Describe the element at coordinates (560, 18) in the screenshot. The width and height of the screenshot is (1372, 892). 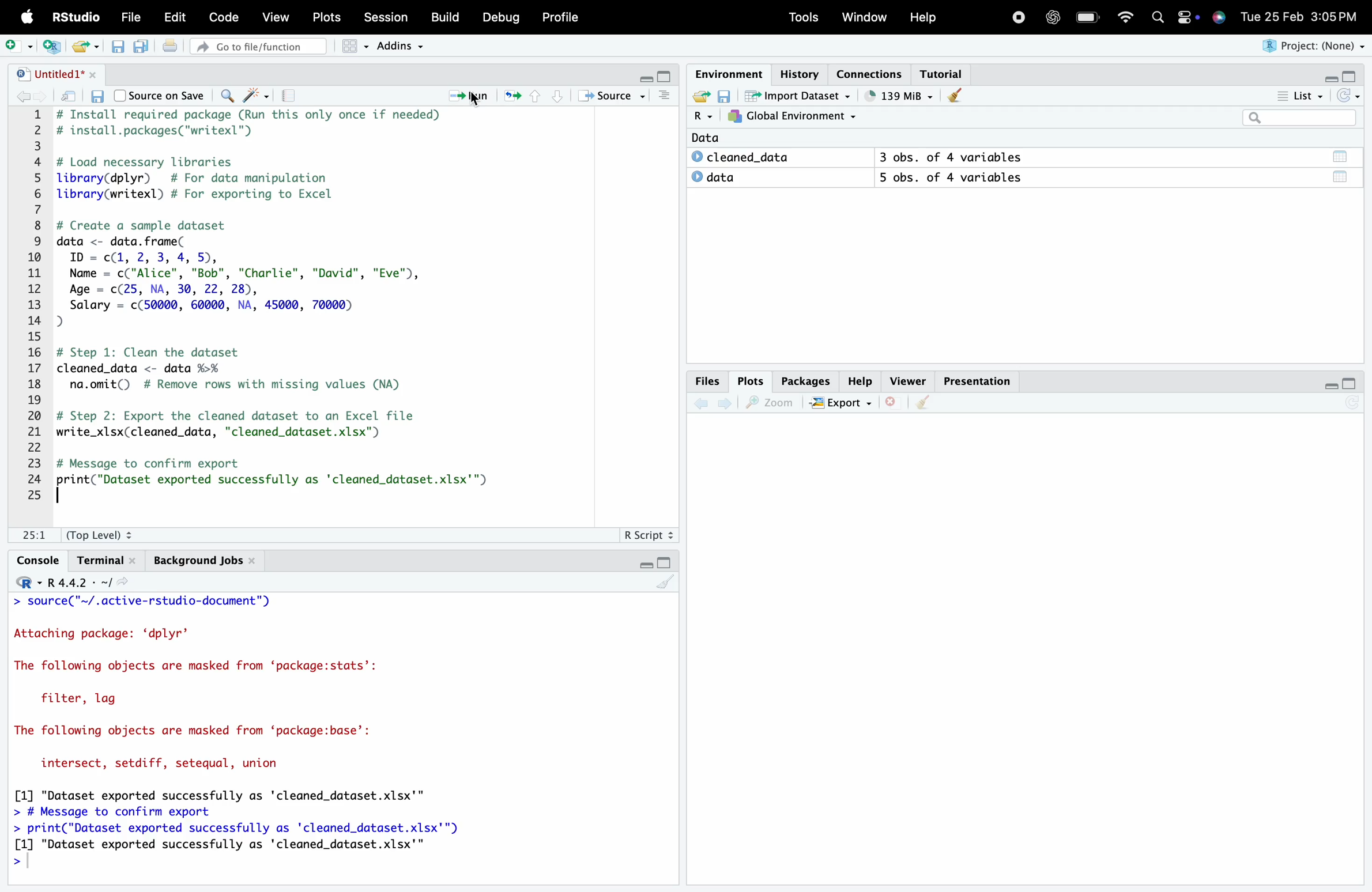
I see `Profile` at that location.